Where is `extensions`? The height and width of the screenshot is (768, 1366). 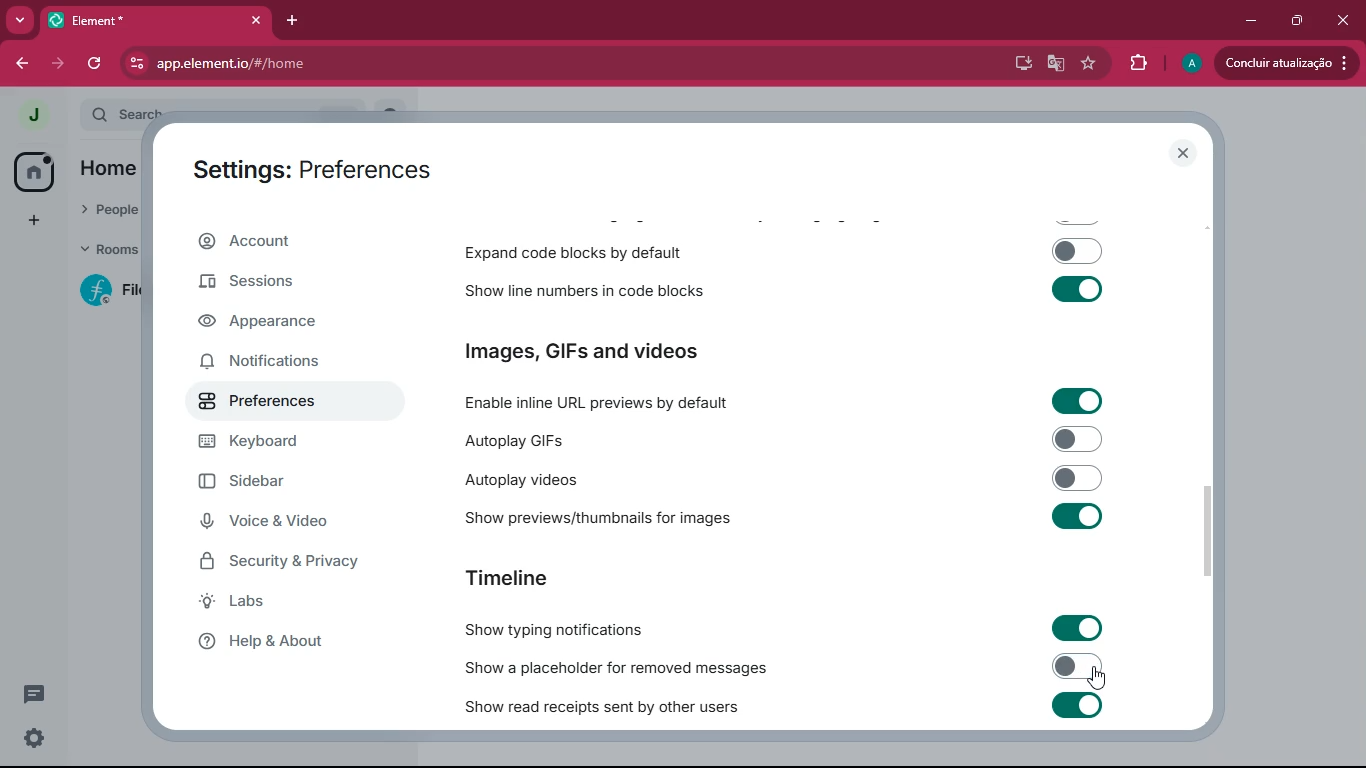
extensions is located at coordinates (1141, 65).